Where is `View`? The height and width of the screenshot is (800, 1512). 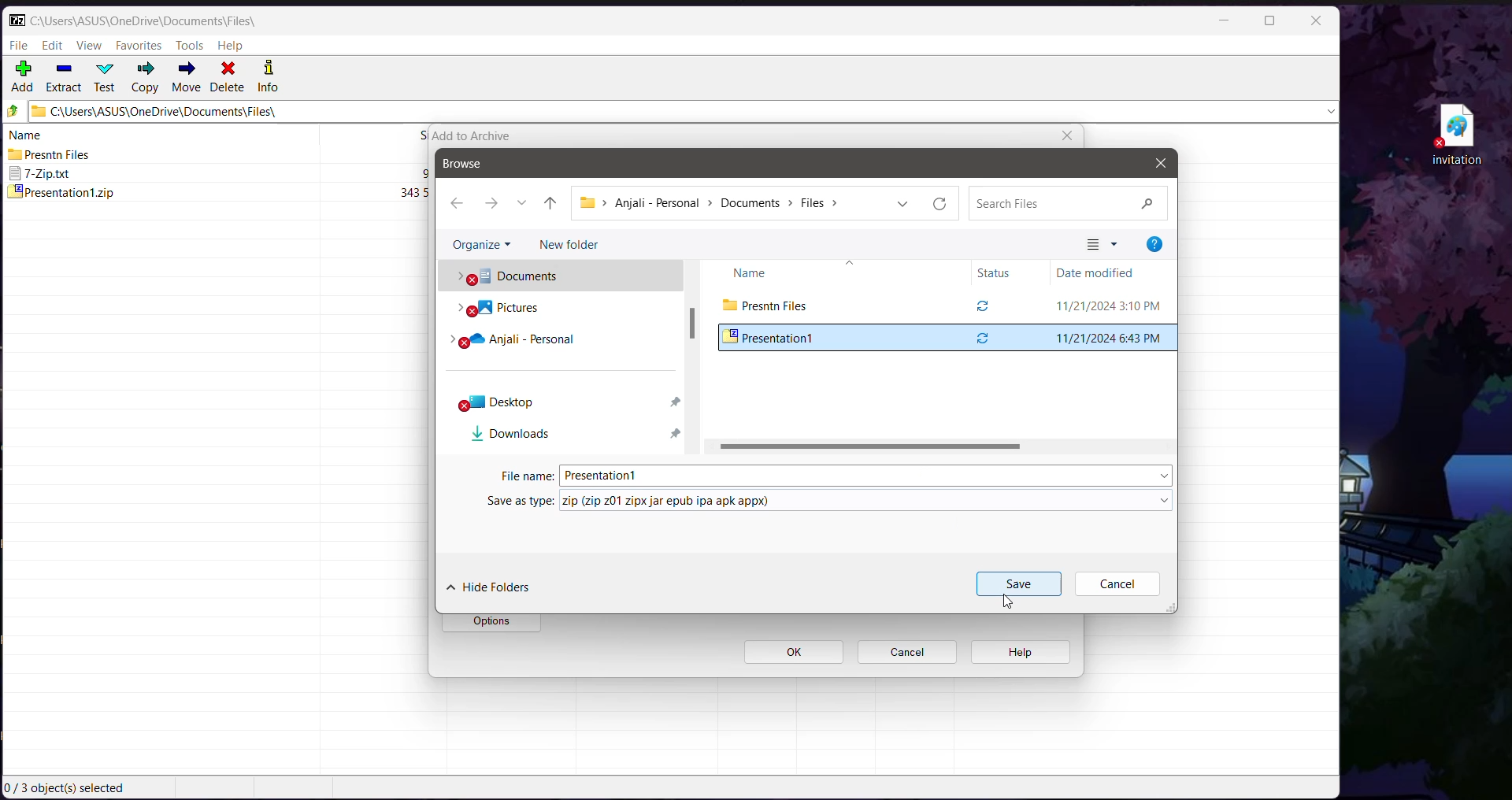
View is located at coordinates (91, 45).